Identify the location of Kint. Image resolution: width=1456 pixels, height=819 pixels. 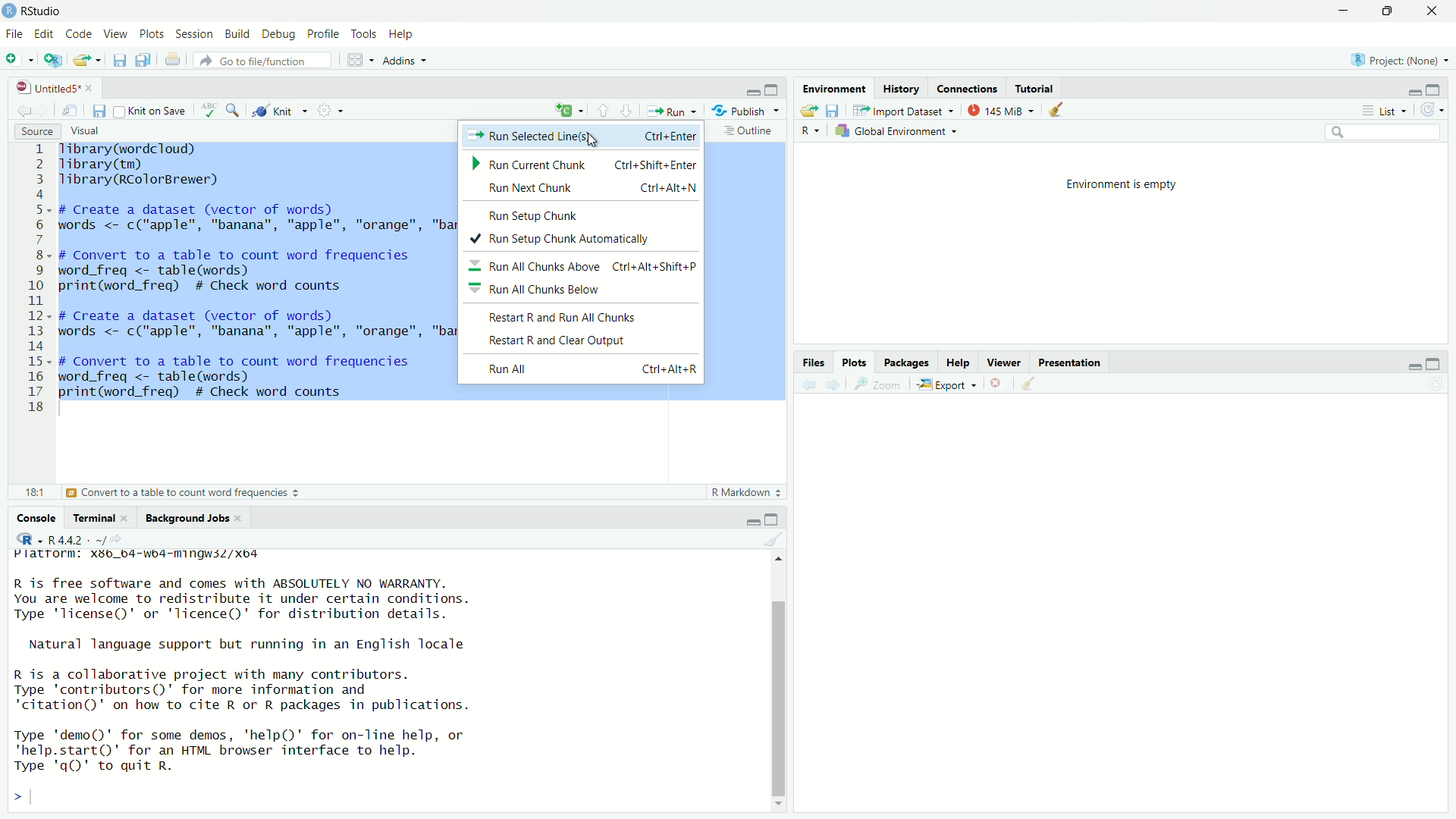
(279, 108).